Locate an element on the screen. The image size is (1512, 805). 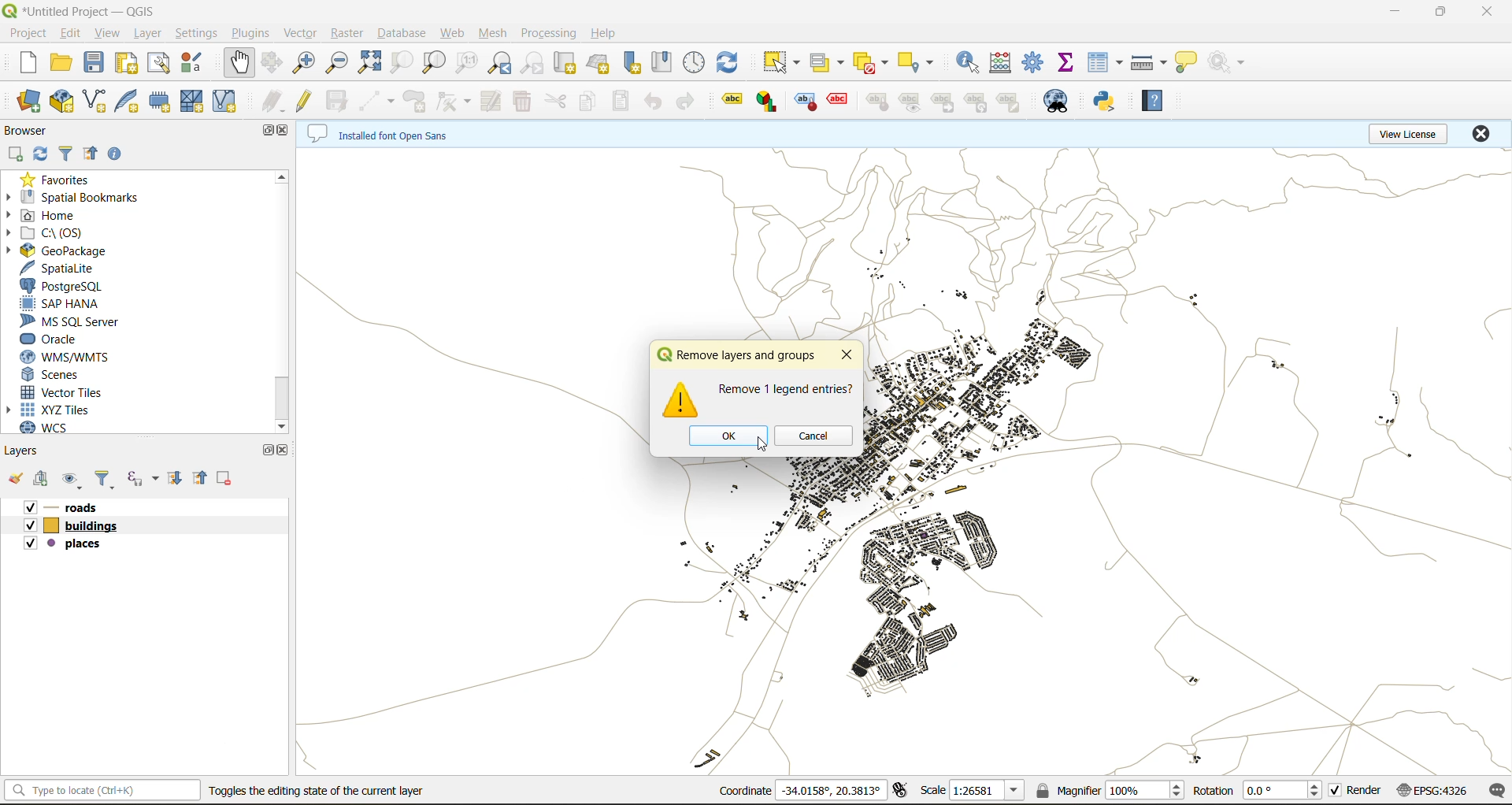
attribute table is located at coordinates (1106, 62).